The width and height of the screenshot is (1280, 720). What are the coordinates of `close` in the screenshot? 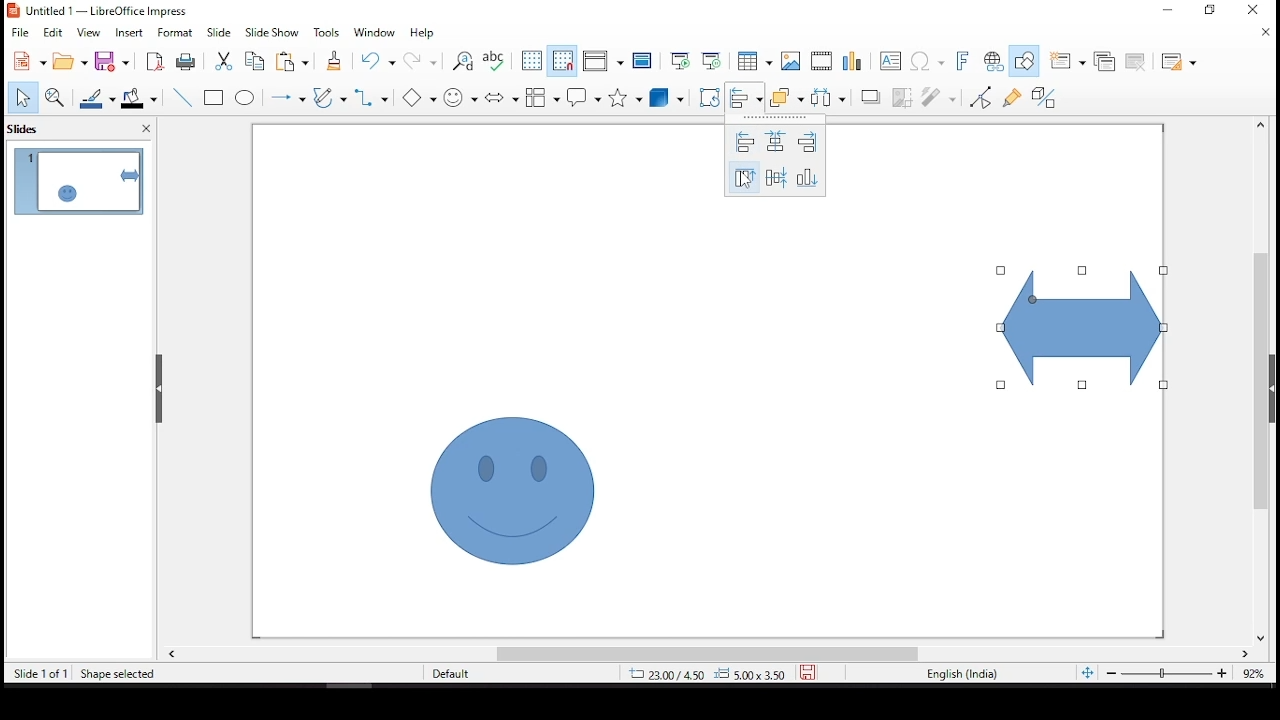 It's located at (1268, 34).